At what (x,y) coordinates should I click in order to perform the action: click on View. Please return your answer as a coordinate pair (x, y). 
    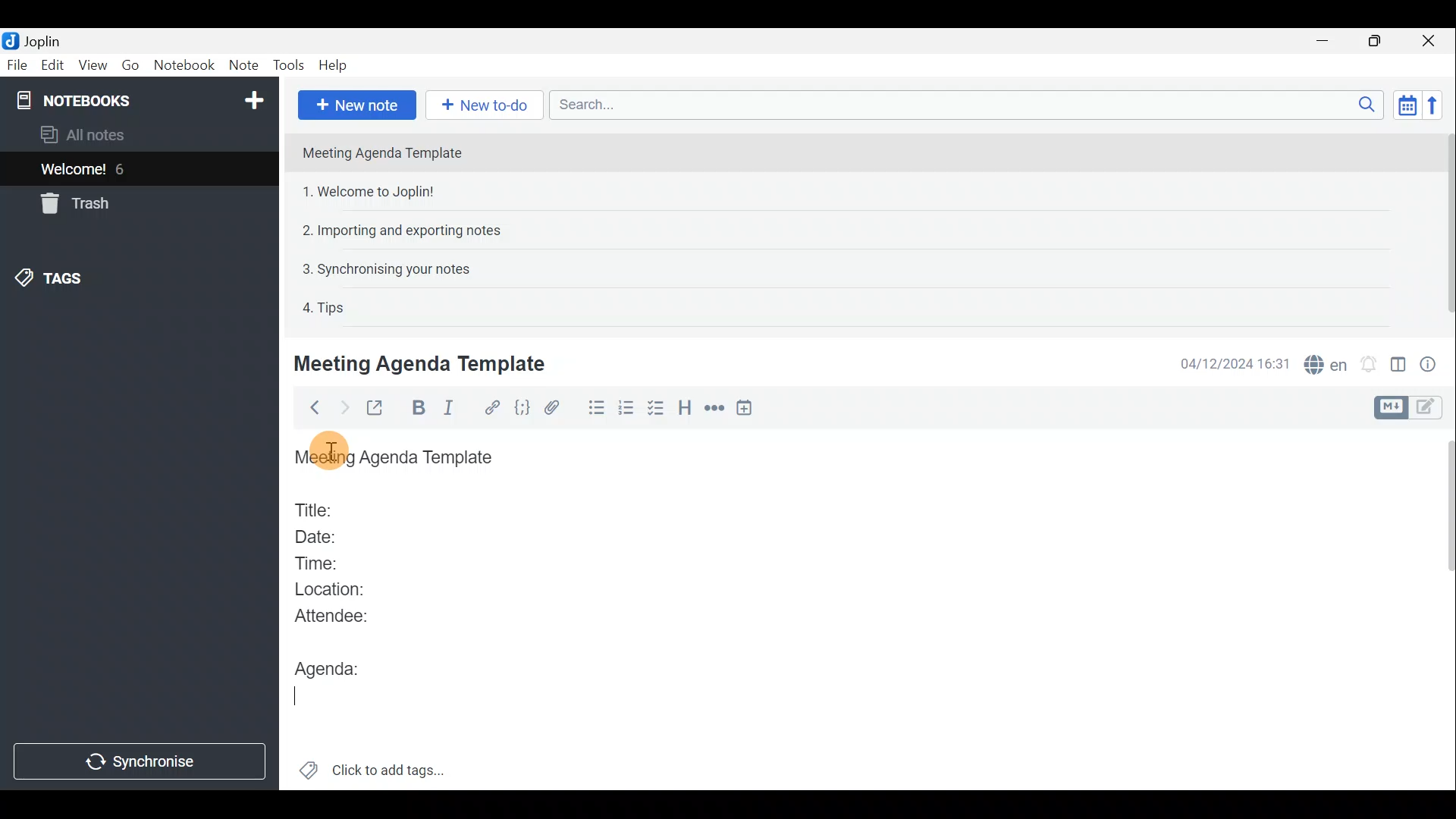
    Looking at the image, I should click on (90, 67).